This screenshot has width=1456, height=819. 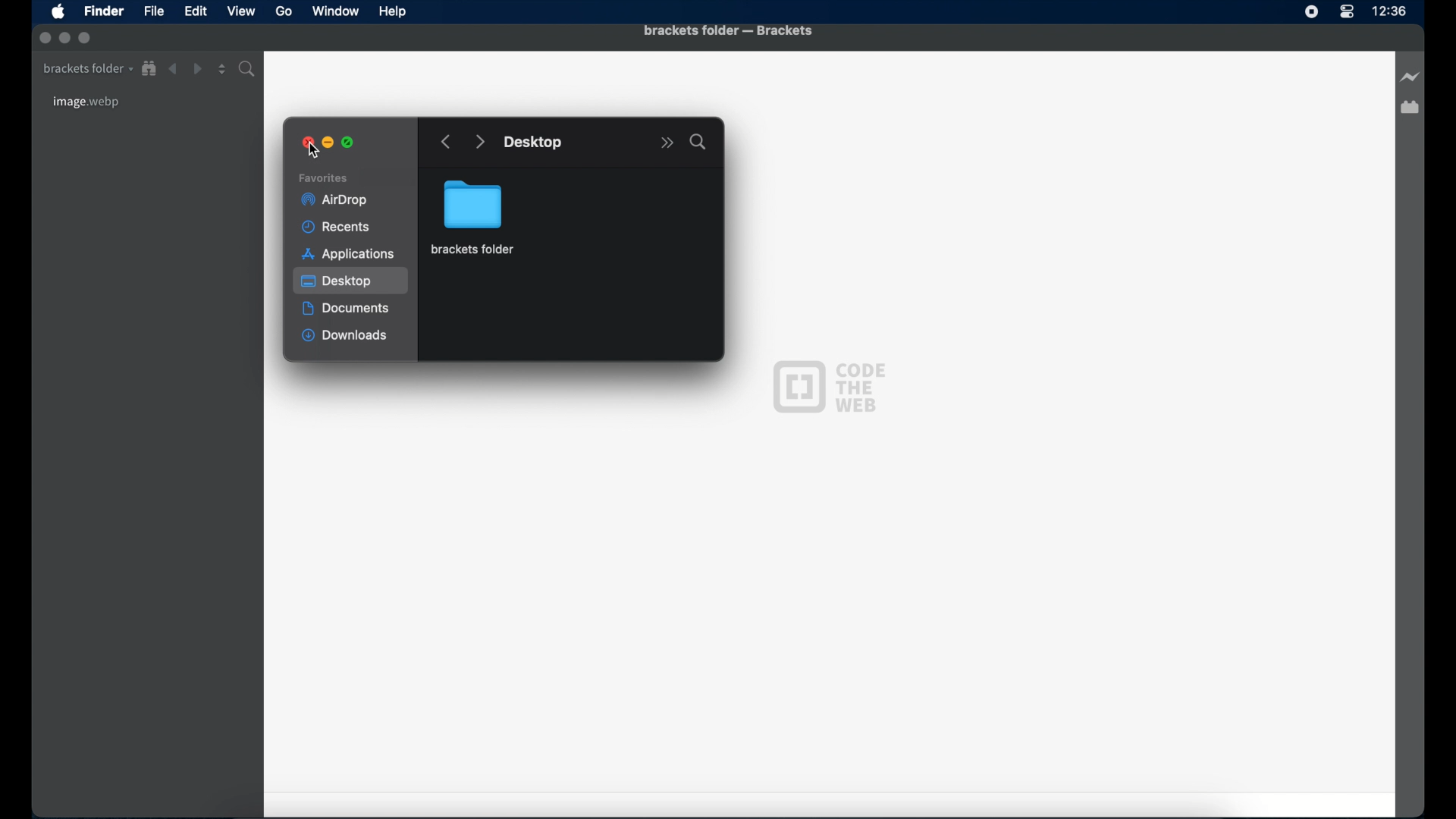 I want to click on Window, so click(x=336, y=11).